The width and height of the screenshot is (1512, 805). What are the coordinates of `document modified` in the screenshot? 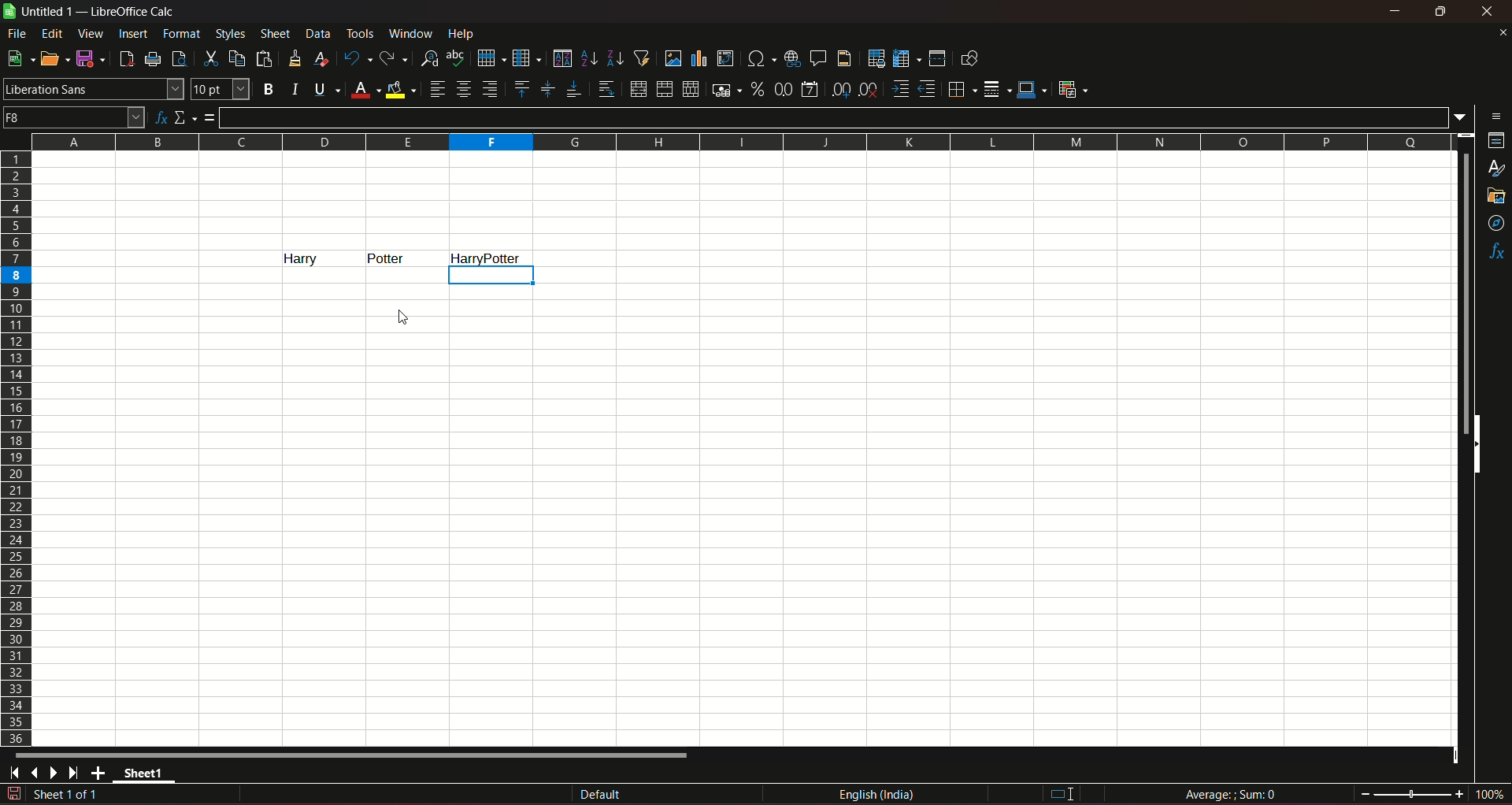 It's located at (16, 793).